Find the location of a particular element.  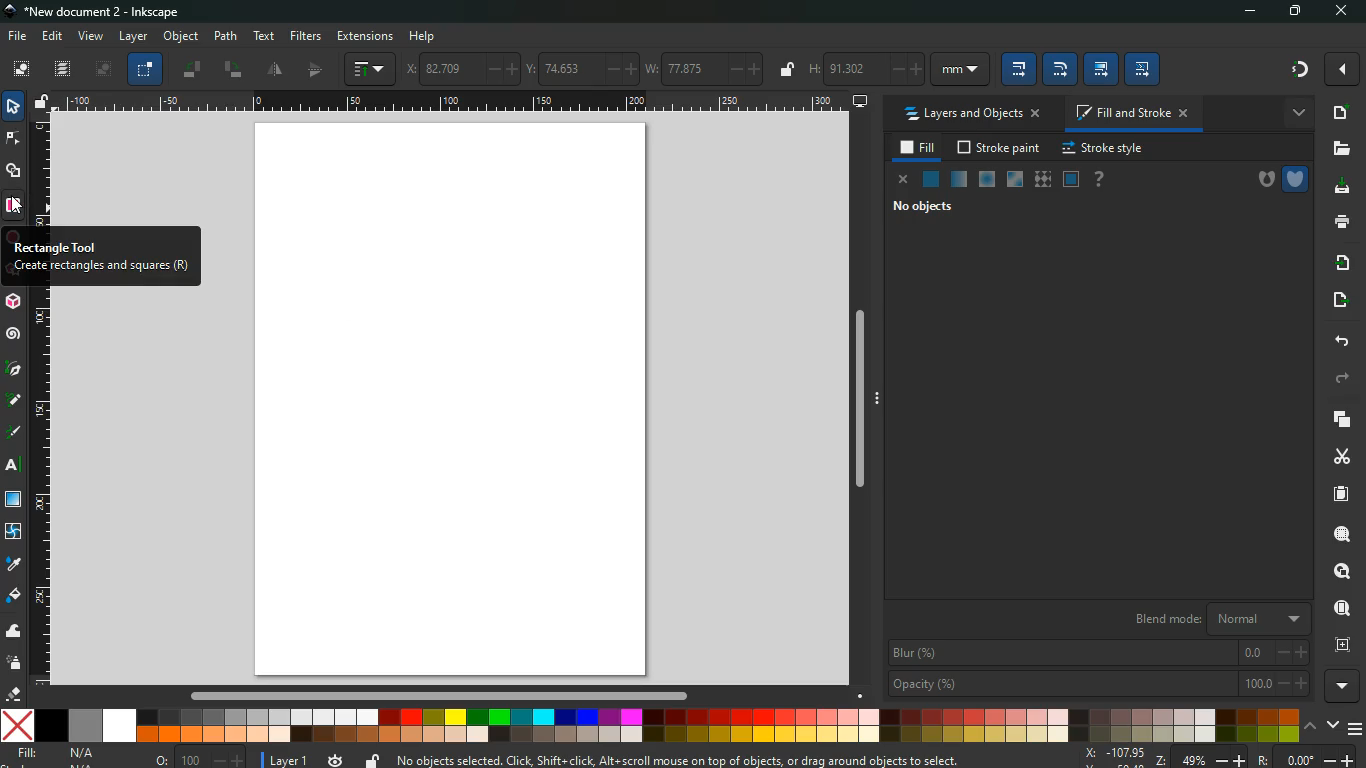

message is located at coordinates (675, 760).